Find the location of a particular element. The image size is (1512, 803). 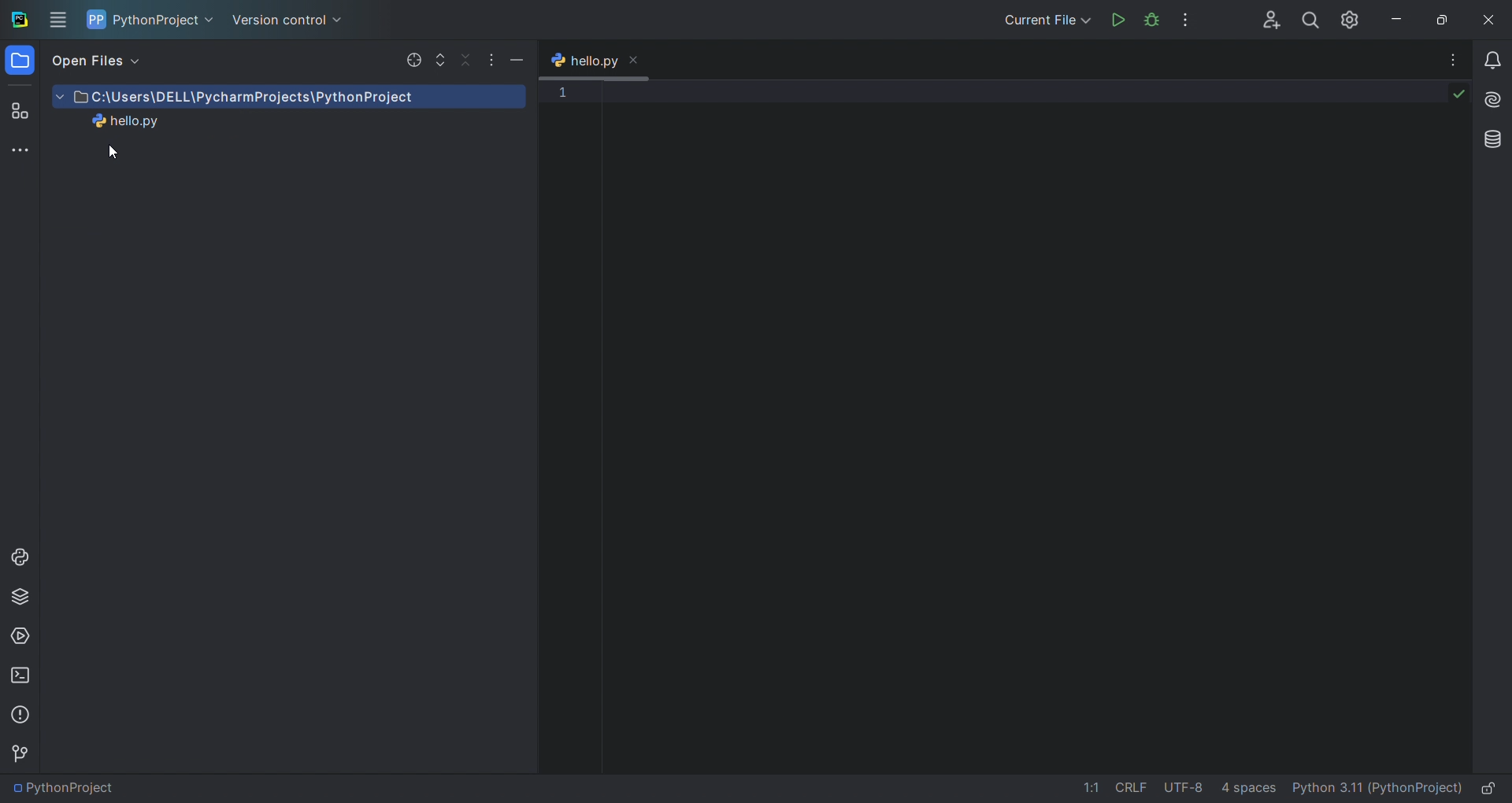

lock is located at coordinates (1494, 786).